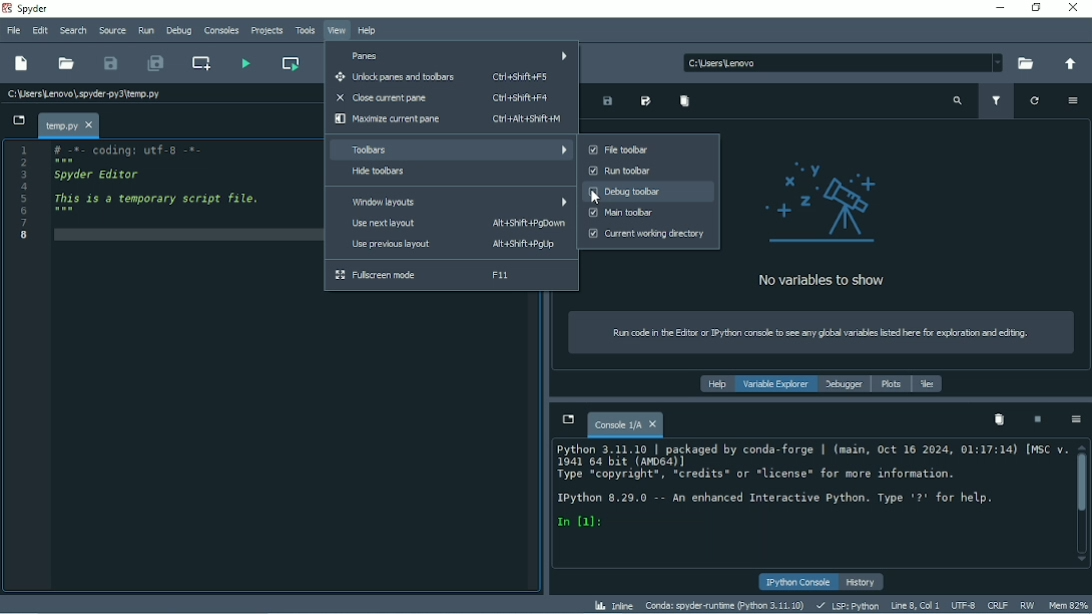 The width and height of the screenshot is (1092, 614). Describe the element at coordinates (33, 9) in the screenshot. I see `Spyder` at that location.